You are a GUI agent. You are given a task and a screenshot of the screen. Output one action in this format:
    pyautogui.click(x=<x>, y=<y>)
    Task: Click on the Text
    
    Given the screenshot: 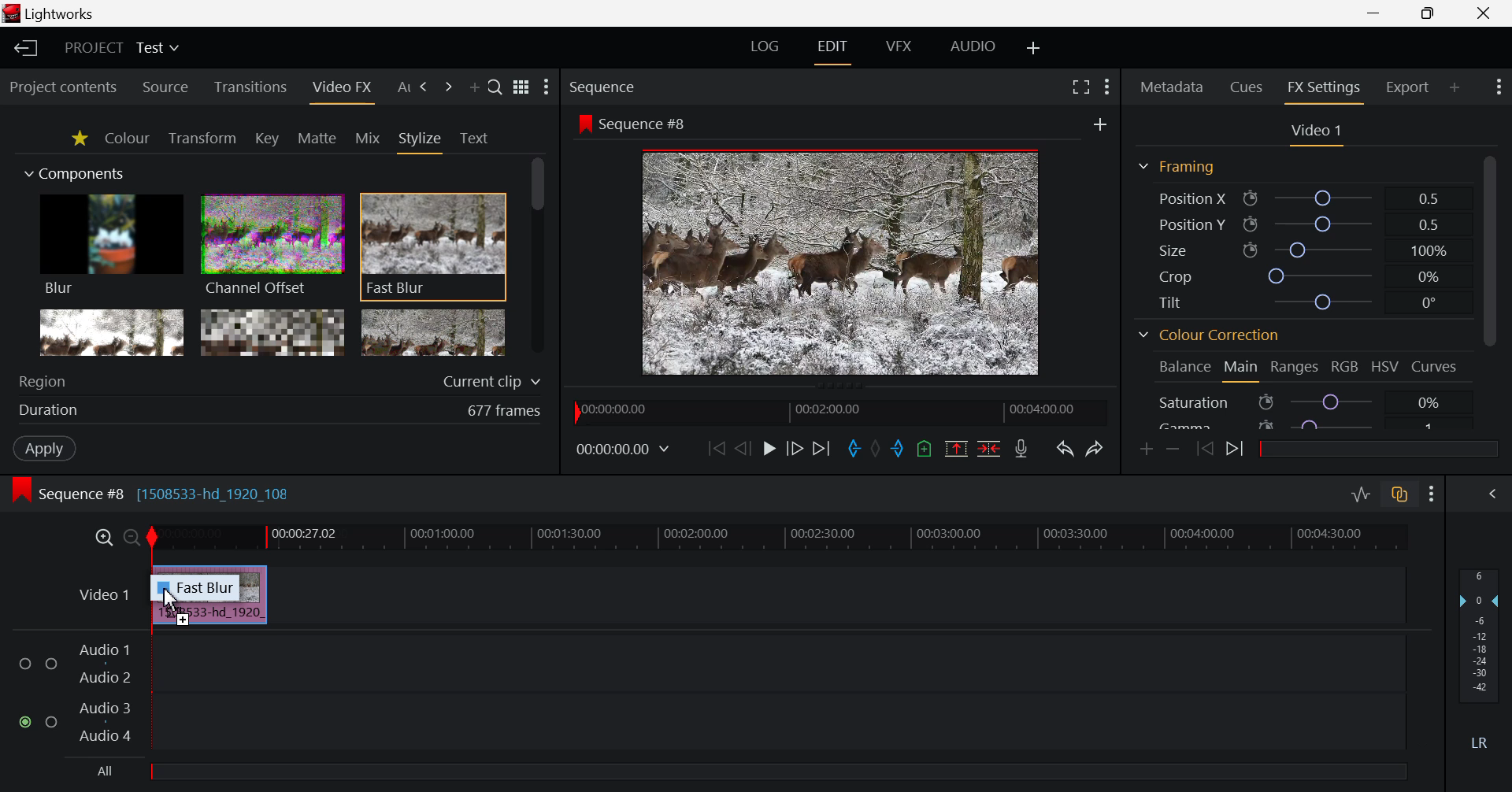 What is the action you would take?
    pyautogui.click(x=473, y=138)
    